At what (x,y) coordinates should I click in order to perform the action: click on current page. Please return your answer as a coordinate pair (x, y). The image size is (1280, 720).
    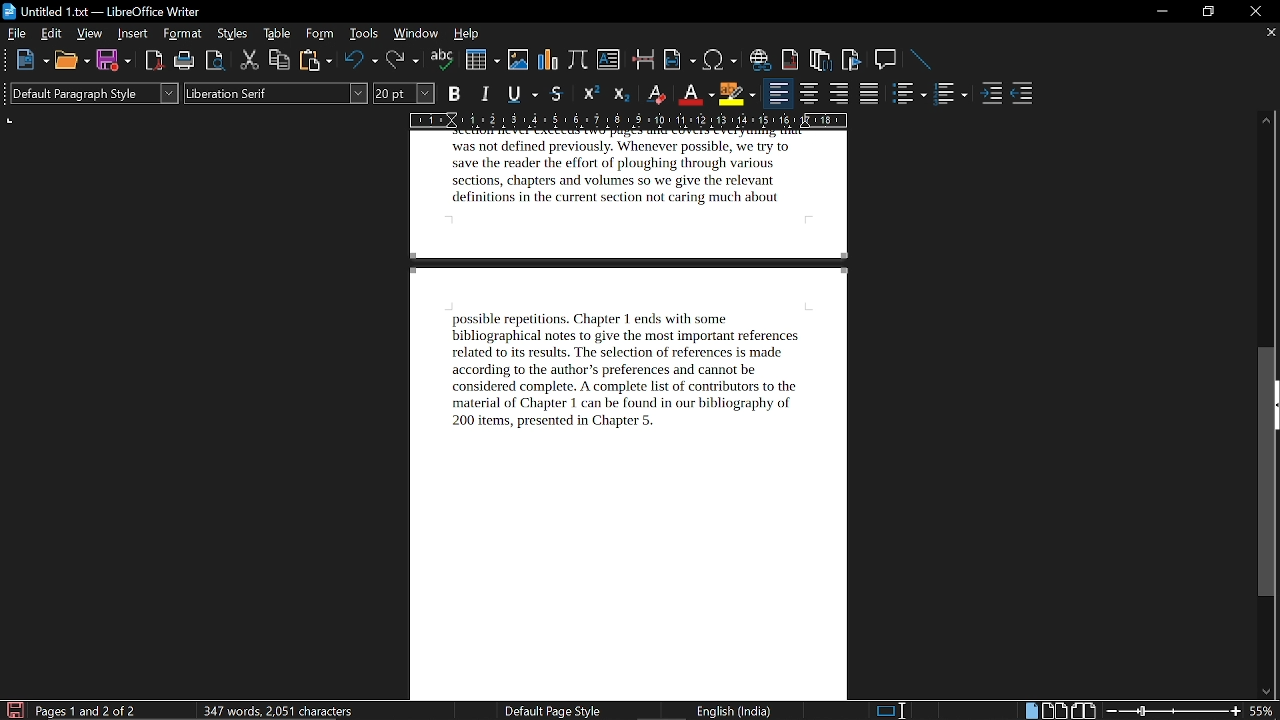
    Looking at the image, I should click on (640, 415).